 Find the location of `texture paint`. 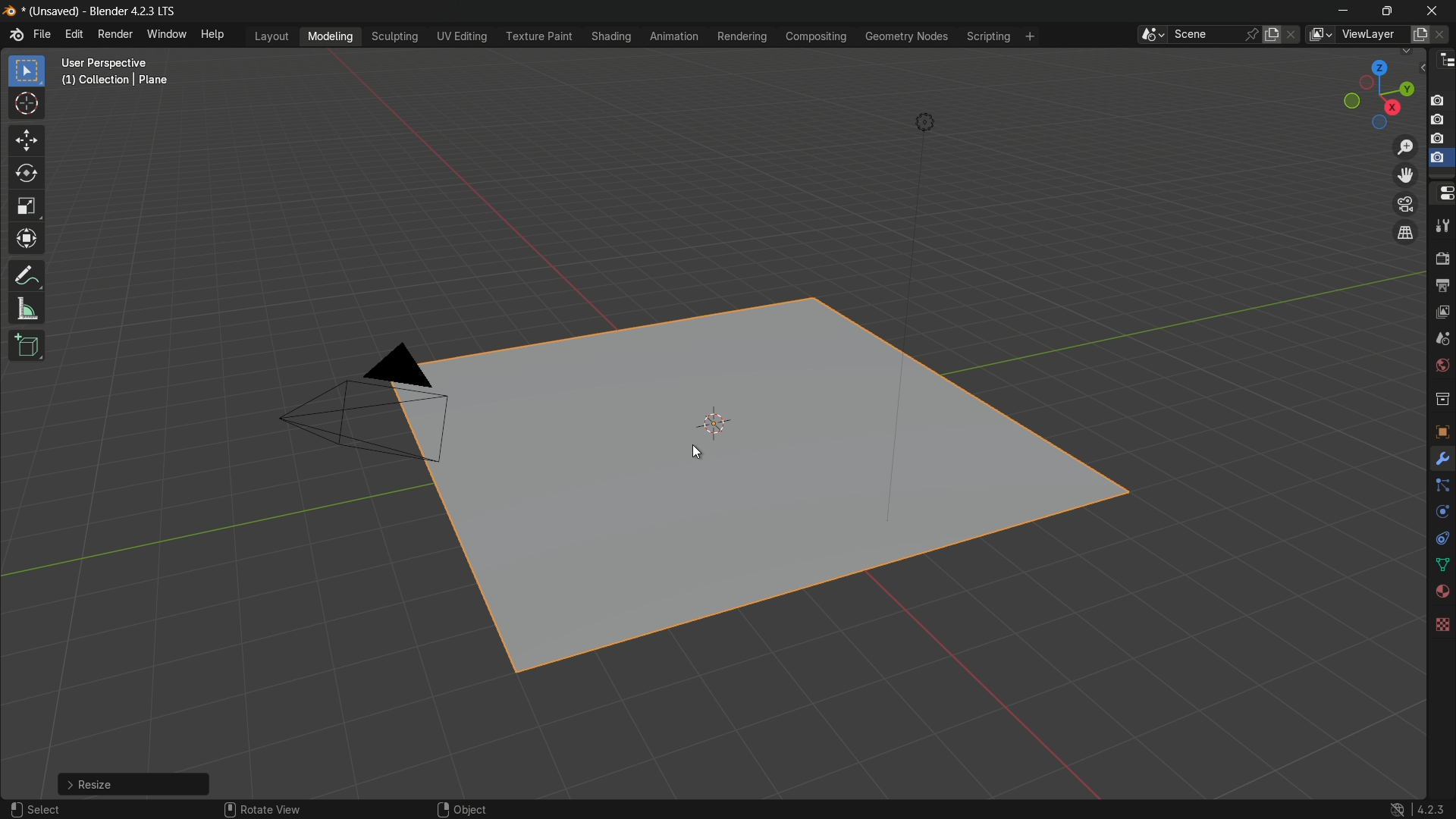

texture paint is located at coordinates (539, 36).